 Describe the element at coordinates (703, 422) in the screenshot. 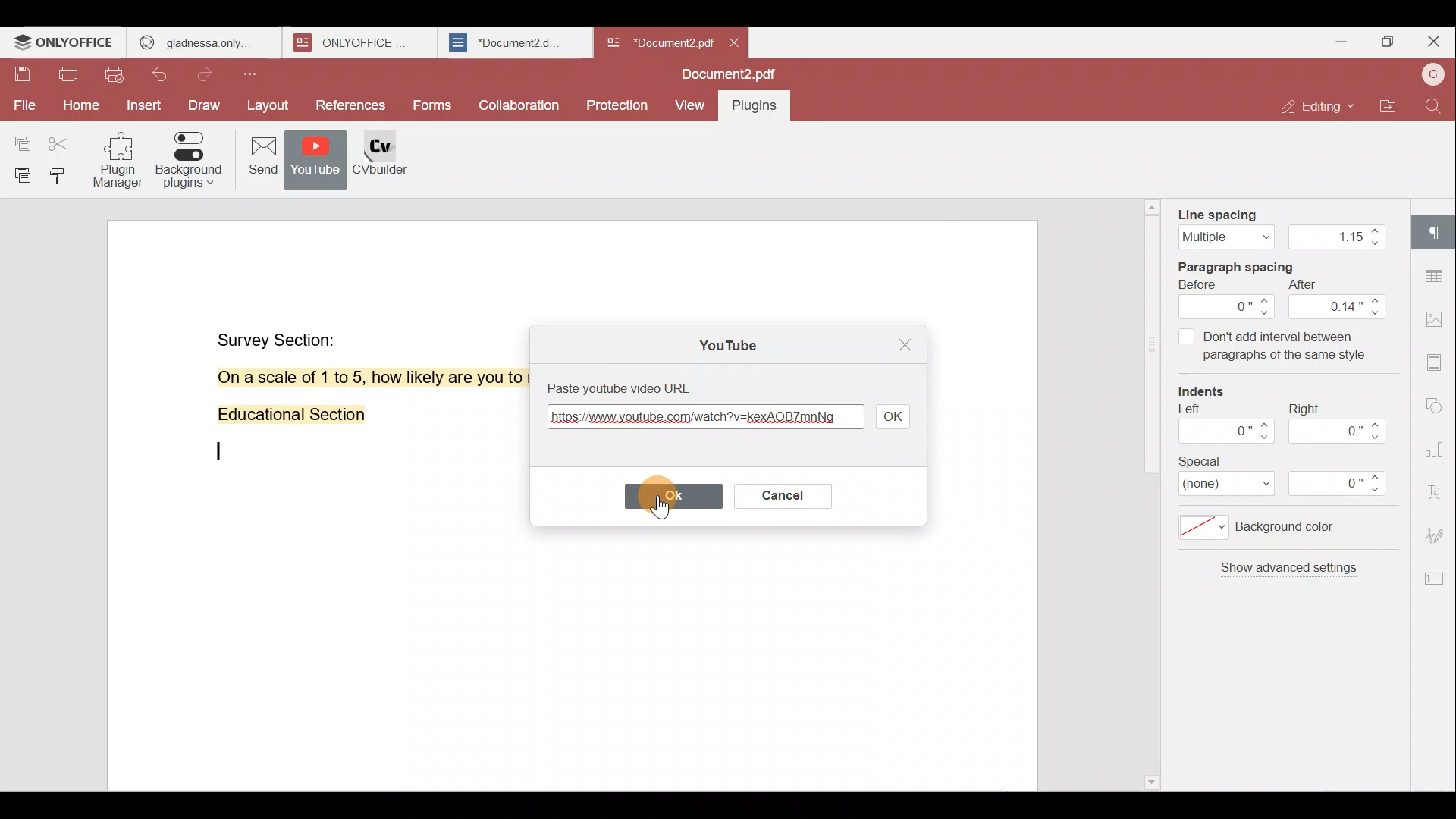

I see `Dites/ywwwyoutube.com/watch?v=kexAQBTmoNg` at that location.